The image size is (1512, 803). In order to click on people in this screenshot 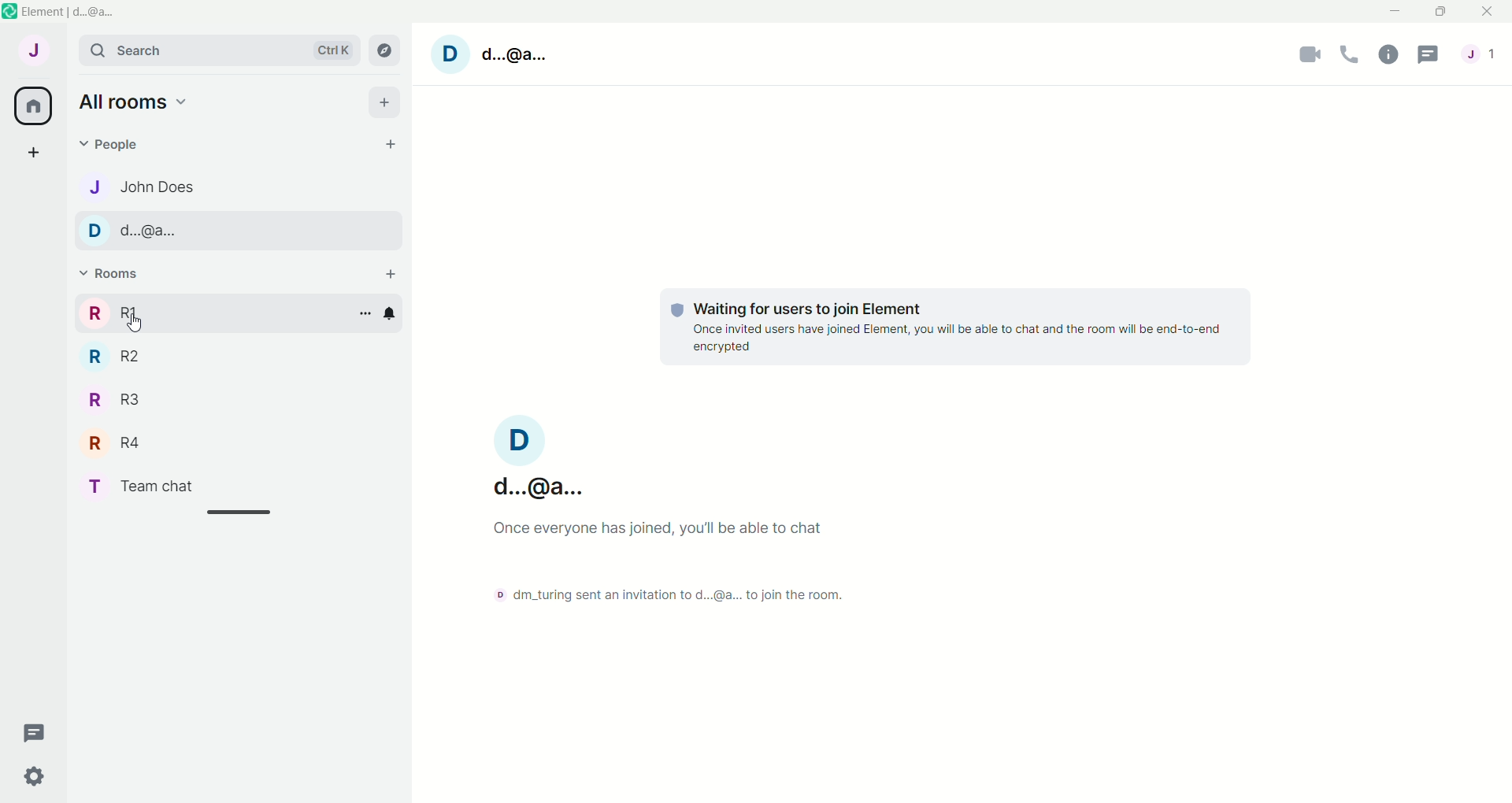, I will do `click(1483, 54)`.